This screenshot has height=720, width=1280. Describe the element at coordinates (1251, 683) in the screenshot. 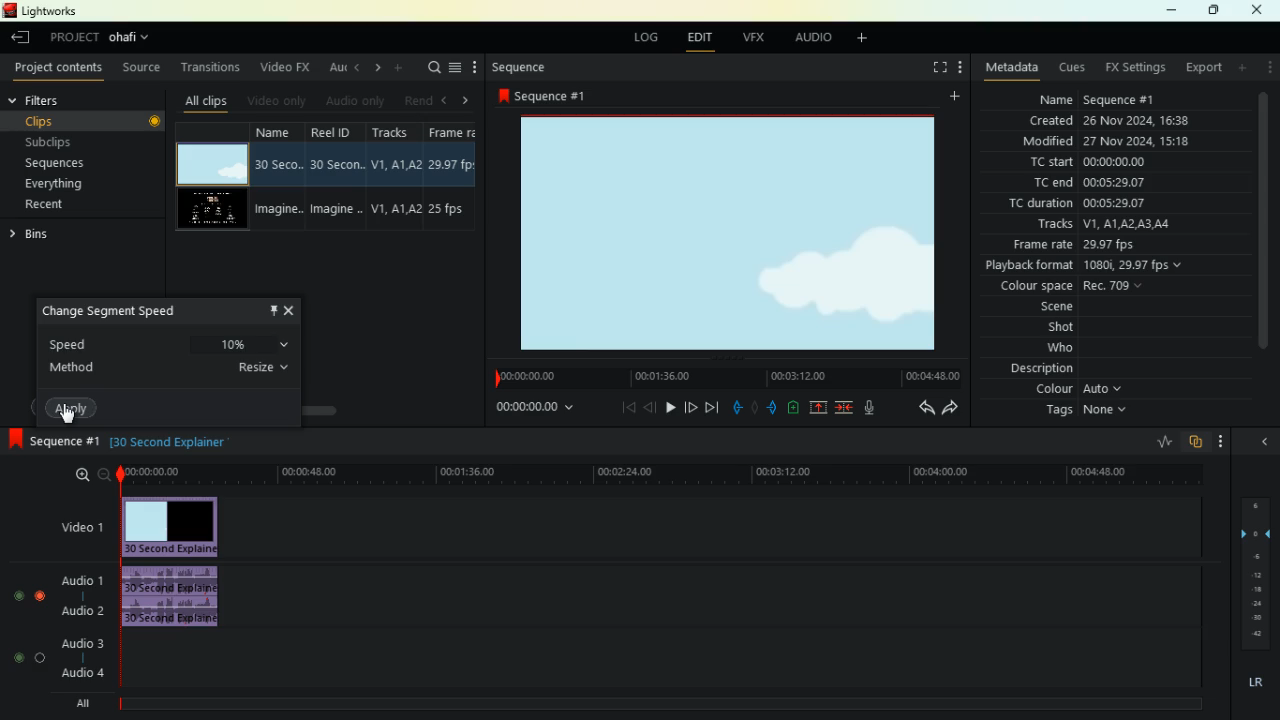

I see `lr` at that location.